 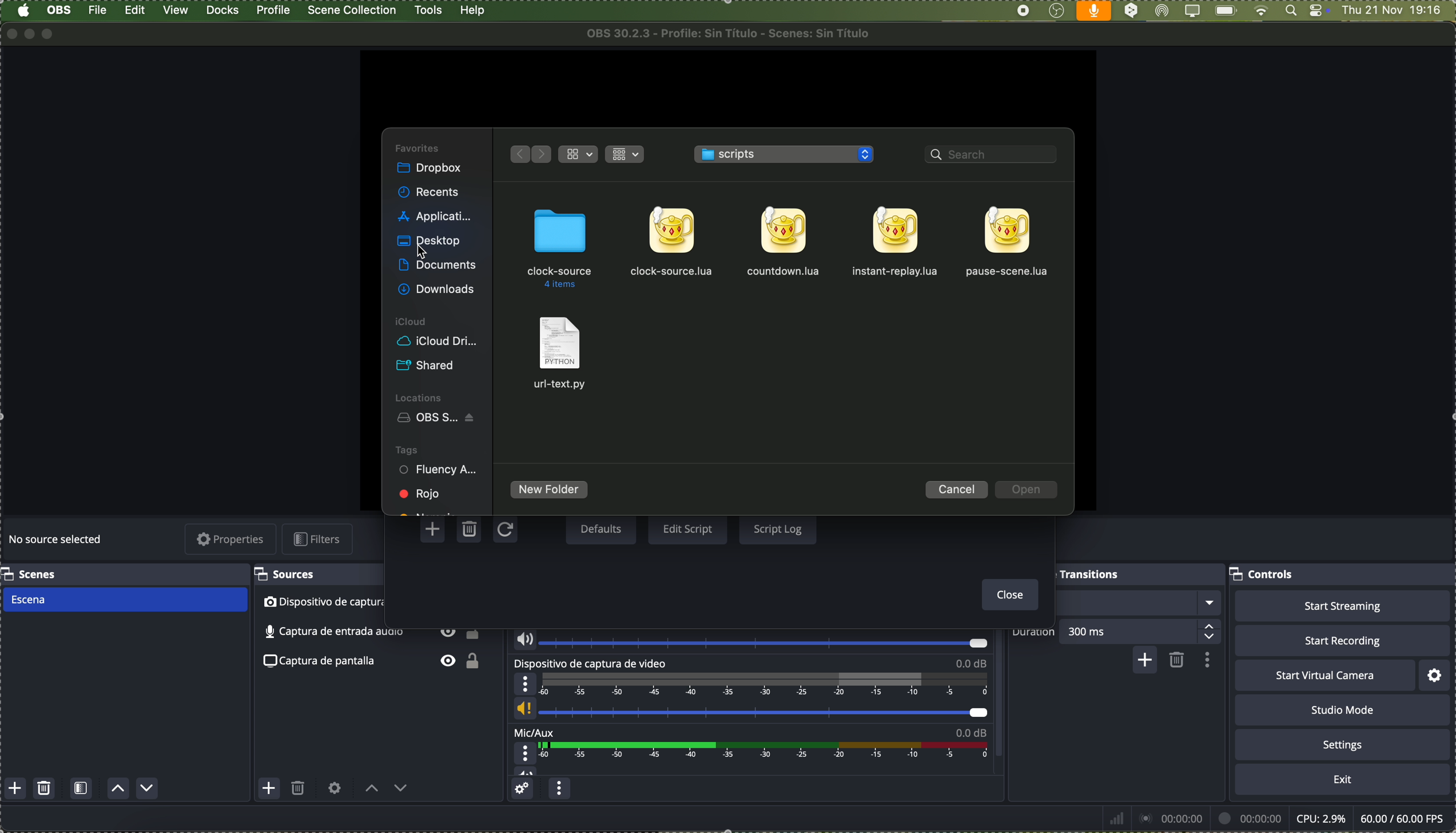 I want to click on move scene up, so click(x=119, y=790).